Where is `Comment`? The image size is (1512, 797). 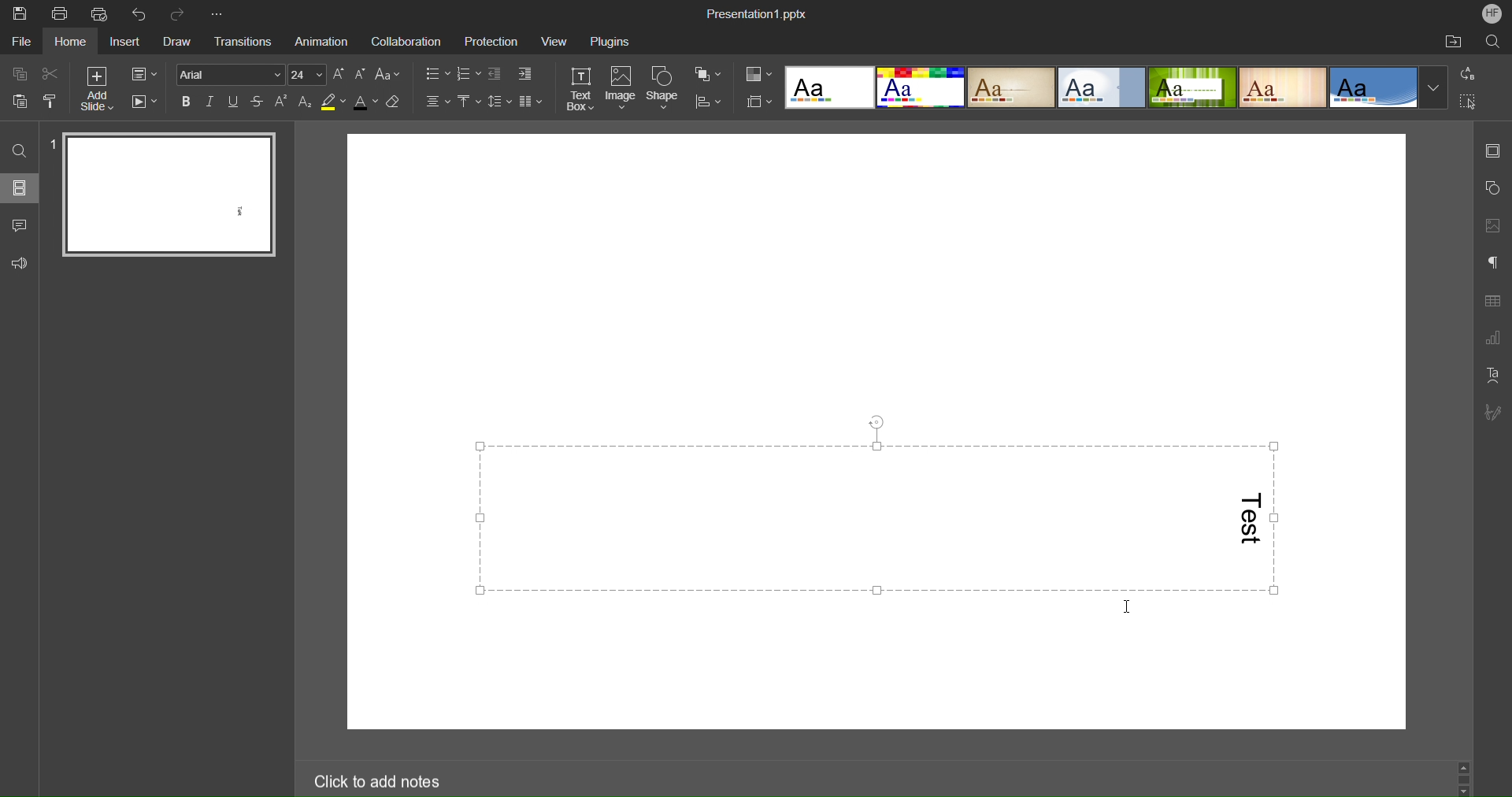 Comment is located at coordinates (20, 225).